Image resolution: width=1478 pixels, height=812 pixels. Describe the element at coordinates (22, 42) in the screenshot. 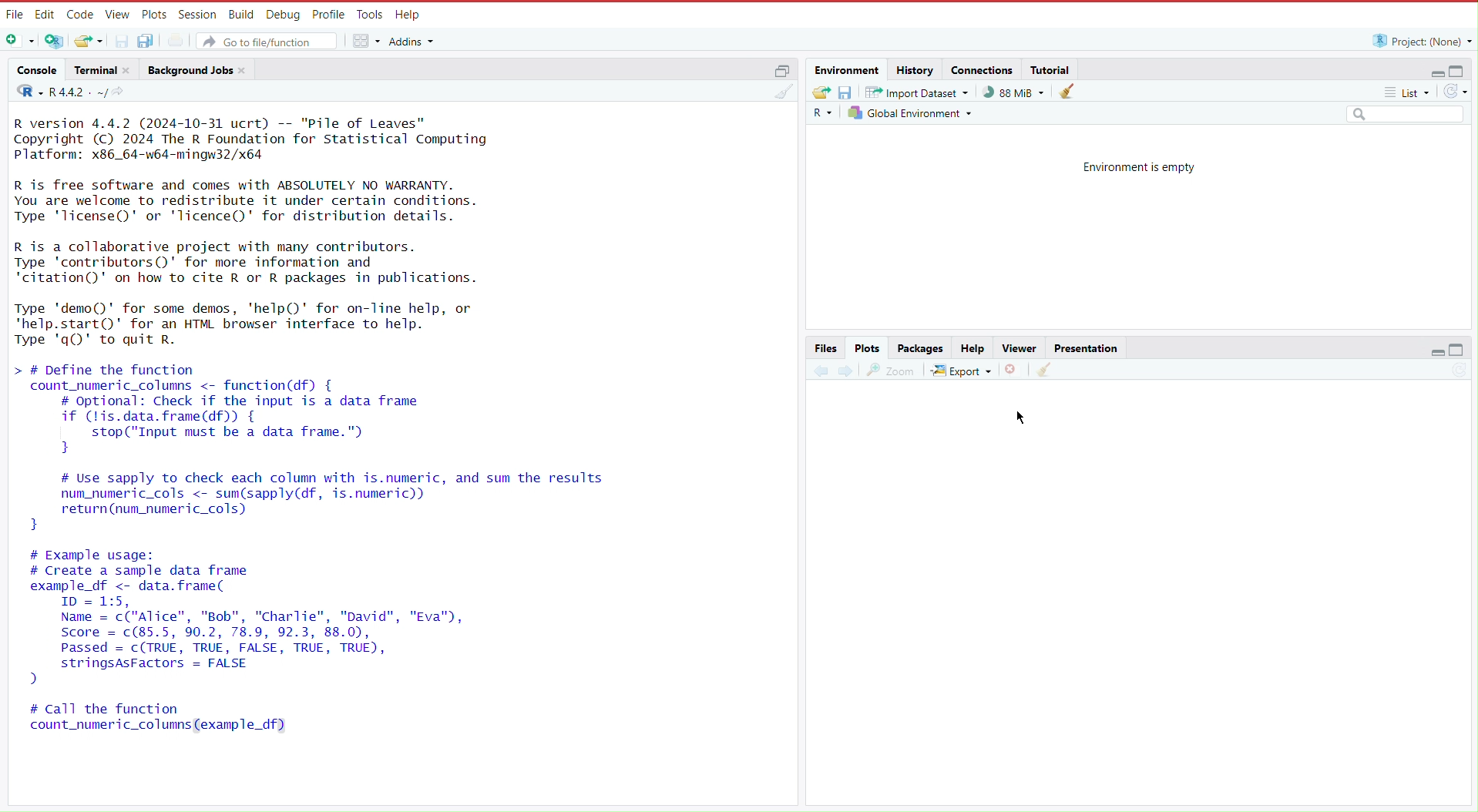

I see `New File` at that location.